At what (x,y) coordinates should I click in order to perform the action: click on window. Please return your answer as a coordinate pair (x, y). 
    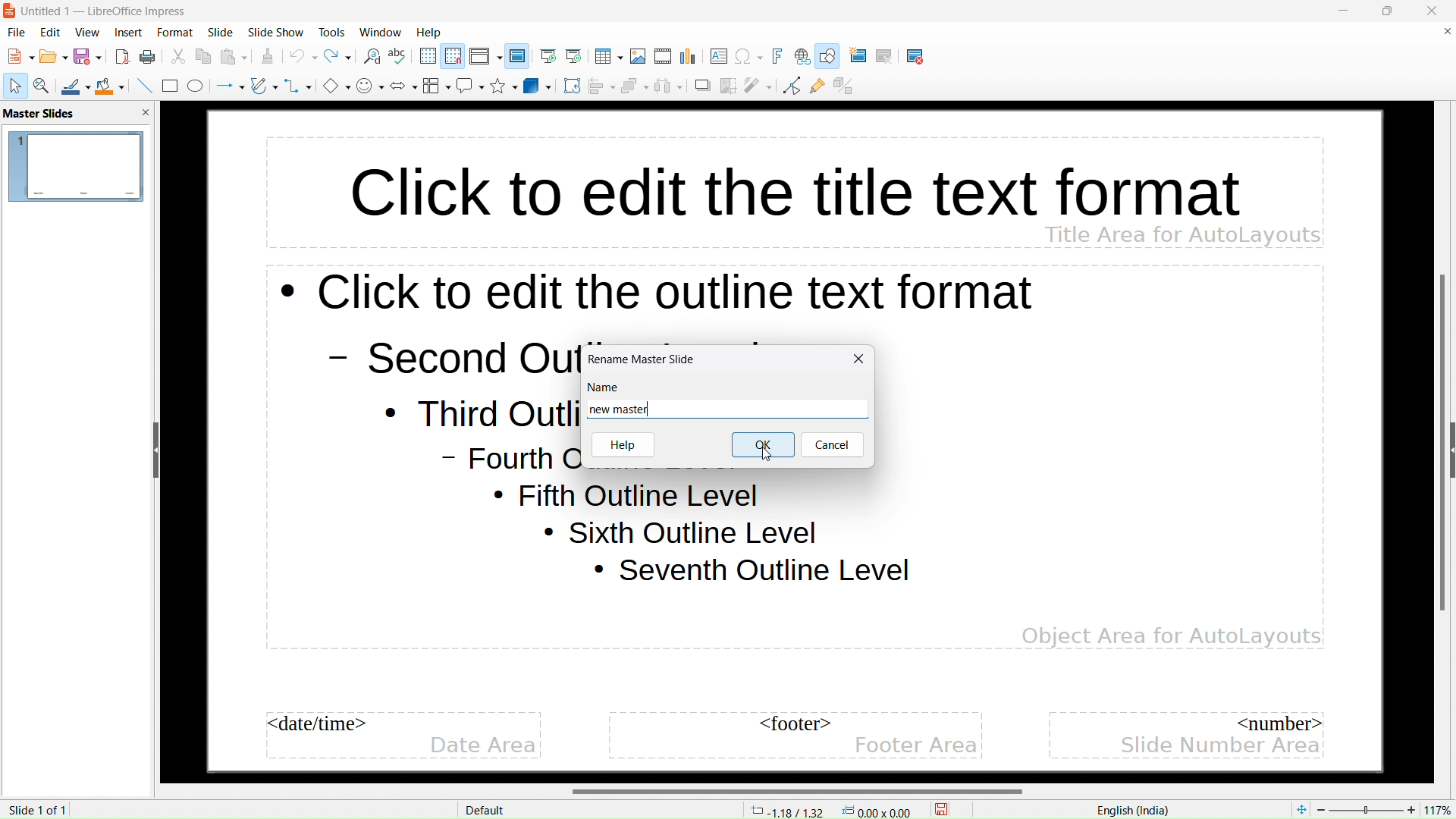
    Looking at the image, I should click on (381, 33).